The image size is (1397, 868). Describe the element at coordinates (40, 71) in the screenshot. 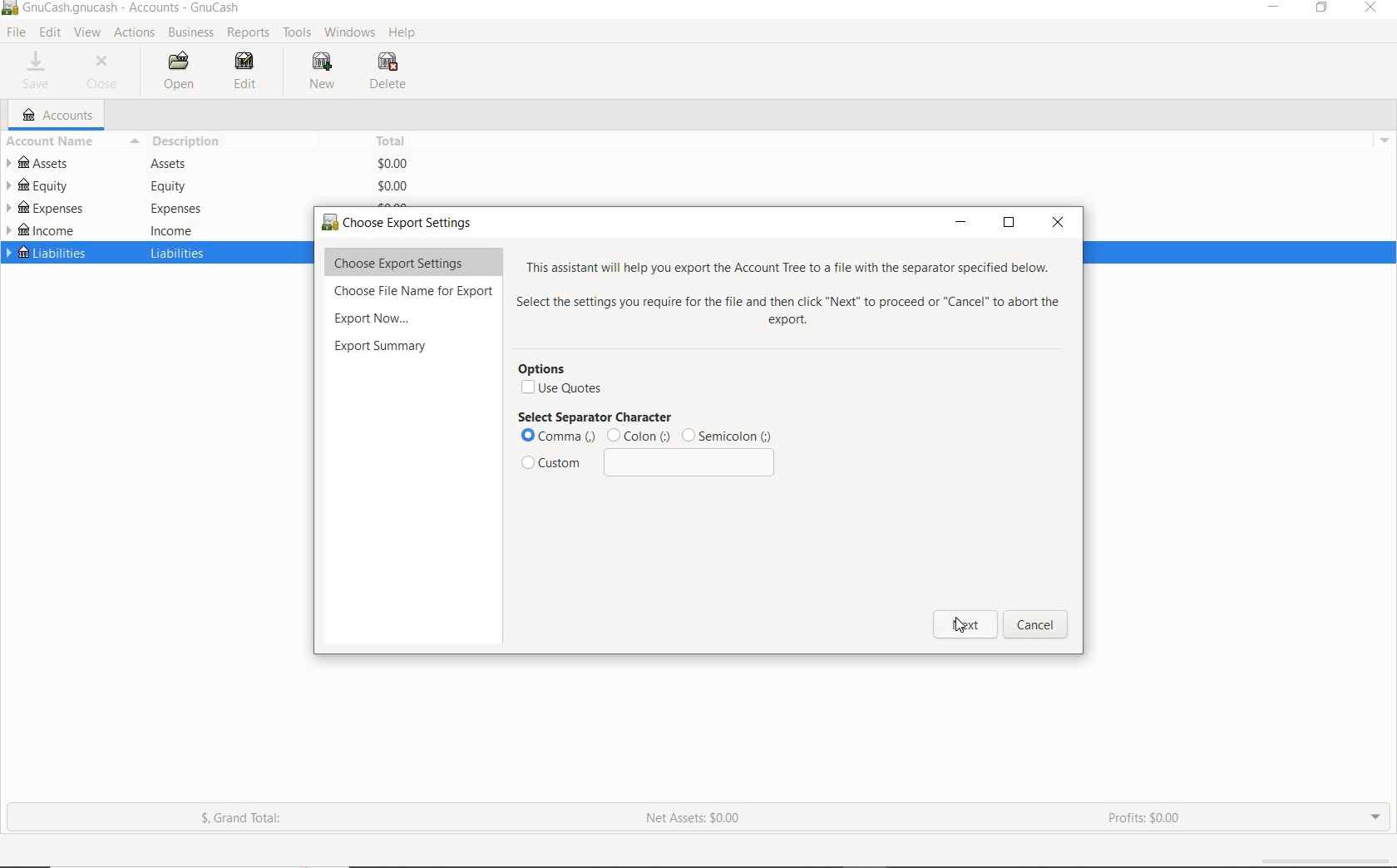

I see `SAVE` at that location.